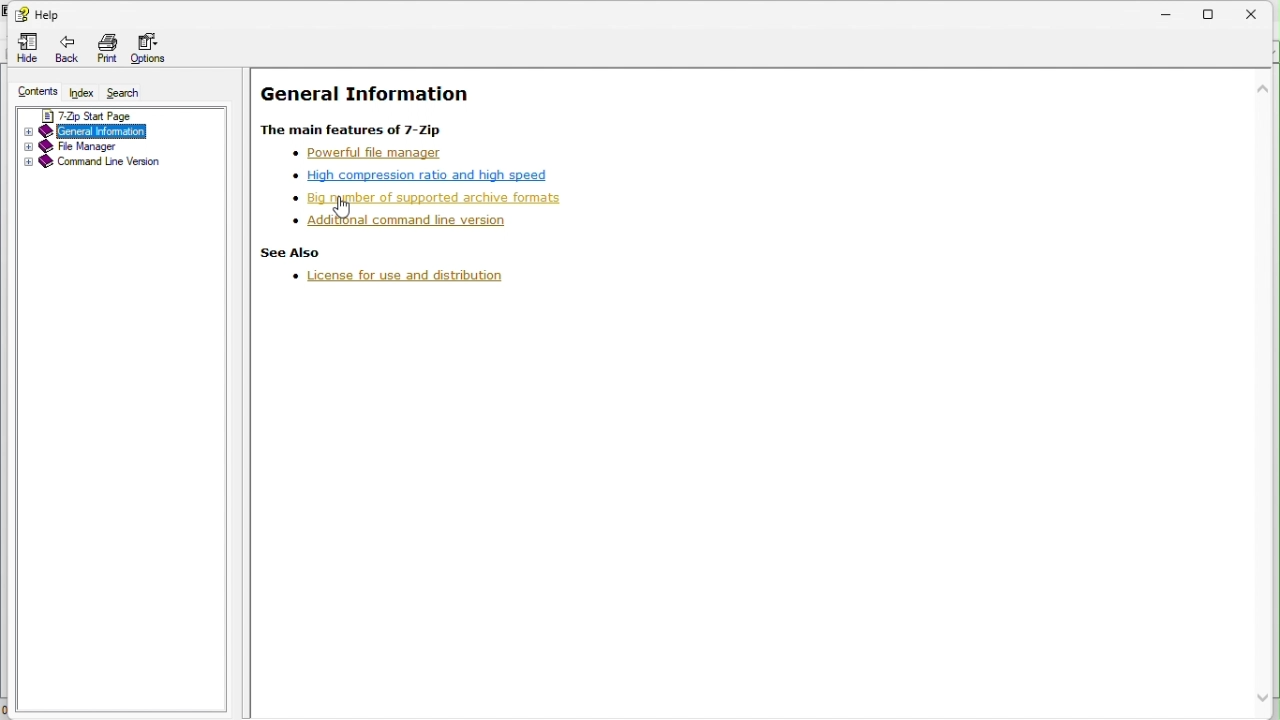  Describe the element at coordinates (41, 13) in the screenshot. I see `help` at that location.